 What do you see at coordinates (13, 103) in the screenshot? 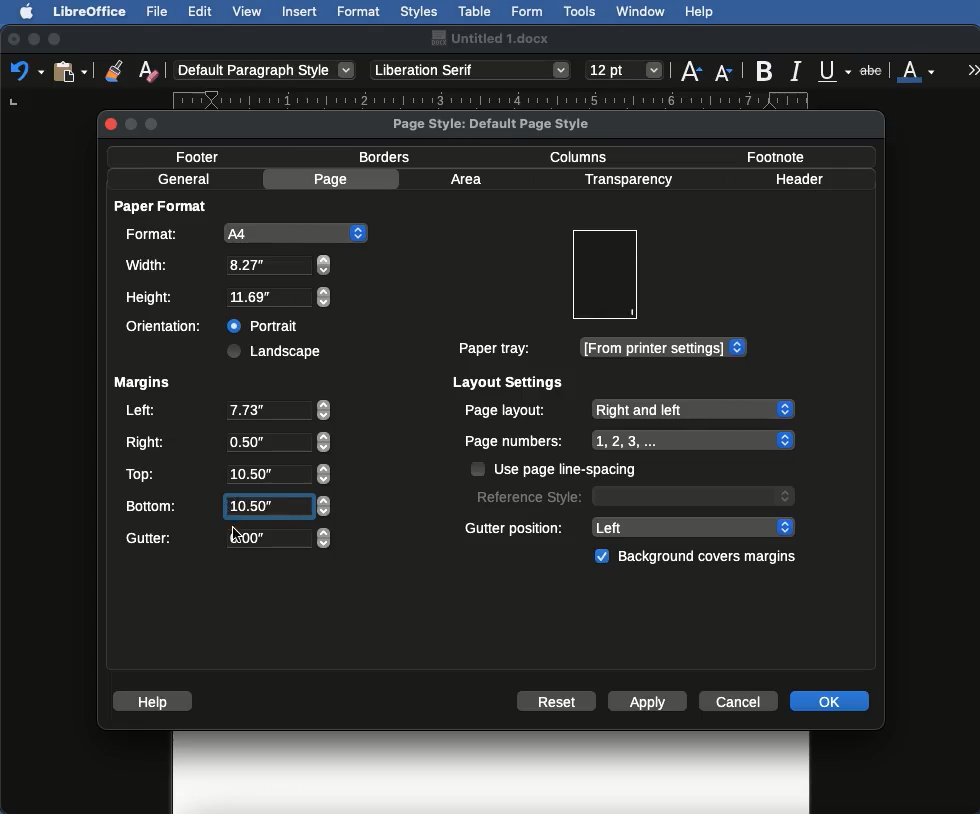
I see `left tab` at bounding box center [13, 103].